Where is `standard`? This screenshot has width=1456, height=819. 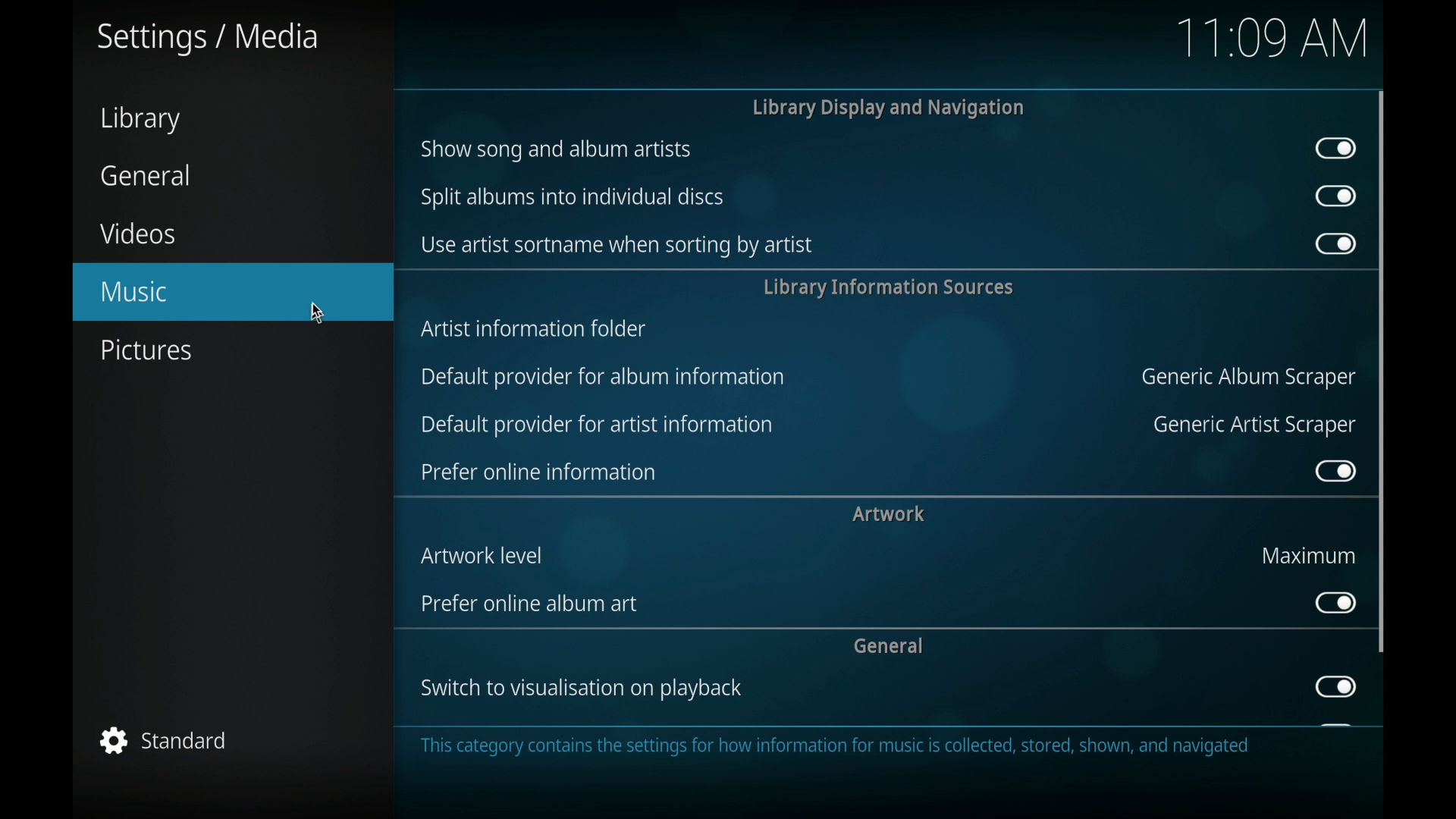
standard is located at coordinates (163, 742).